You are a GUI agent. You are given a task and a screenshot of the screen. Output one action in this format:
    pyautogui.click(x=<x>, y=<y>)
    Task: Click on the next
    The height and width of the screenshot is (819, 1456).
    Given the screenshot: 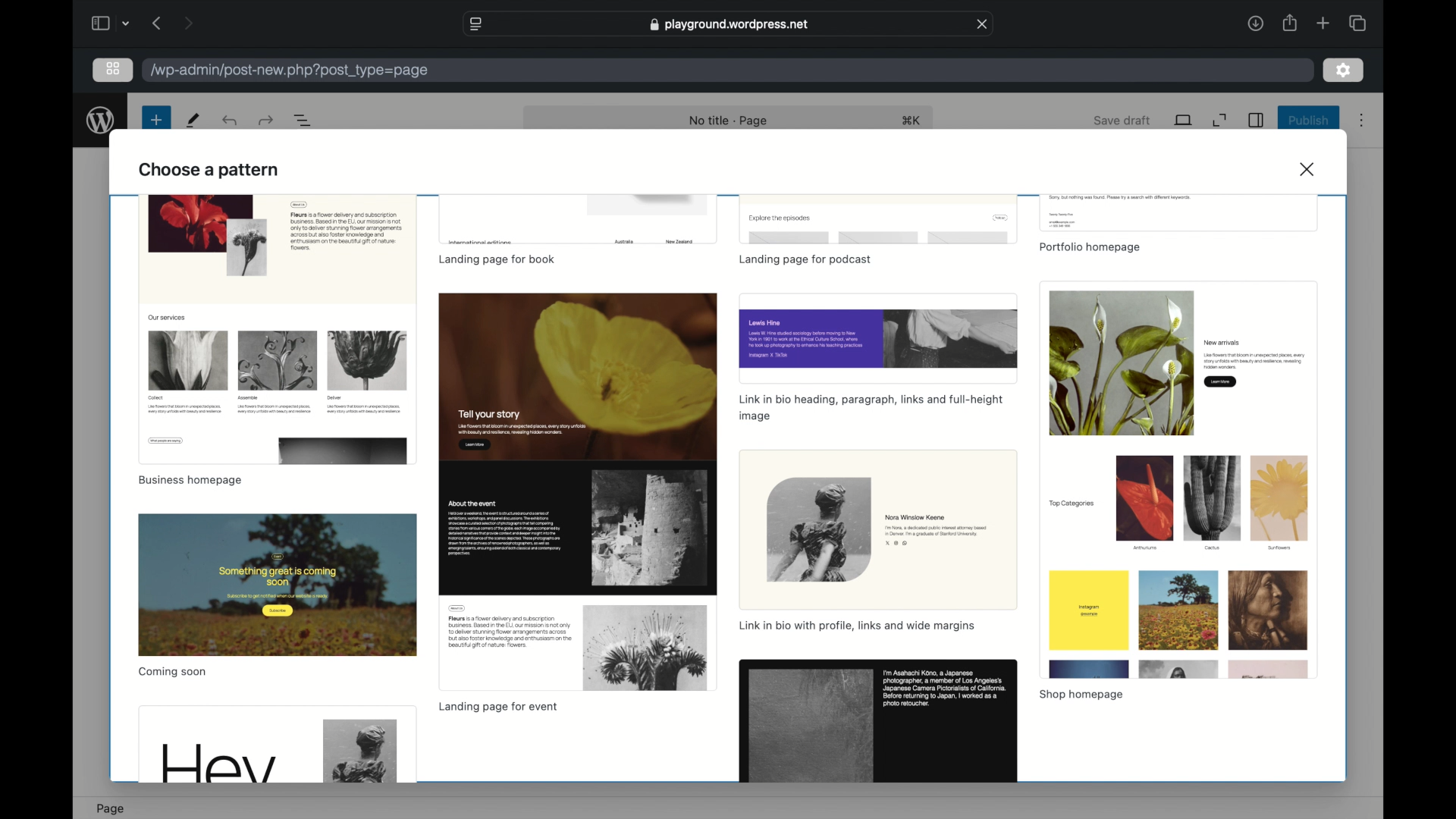 What is the action you would take?
    pyautogui.click(x=188, y=23)
    